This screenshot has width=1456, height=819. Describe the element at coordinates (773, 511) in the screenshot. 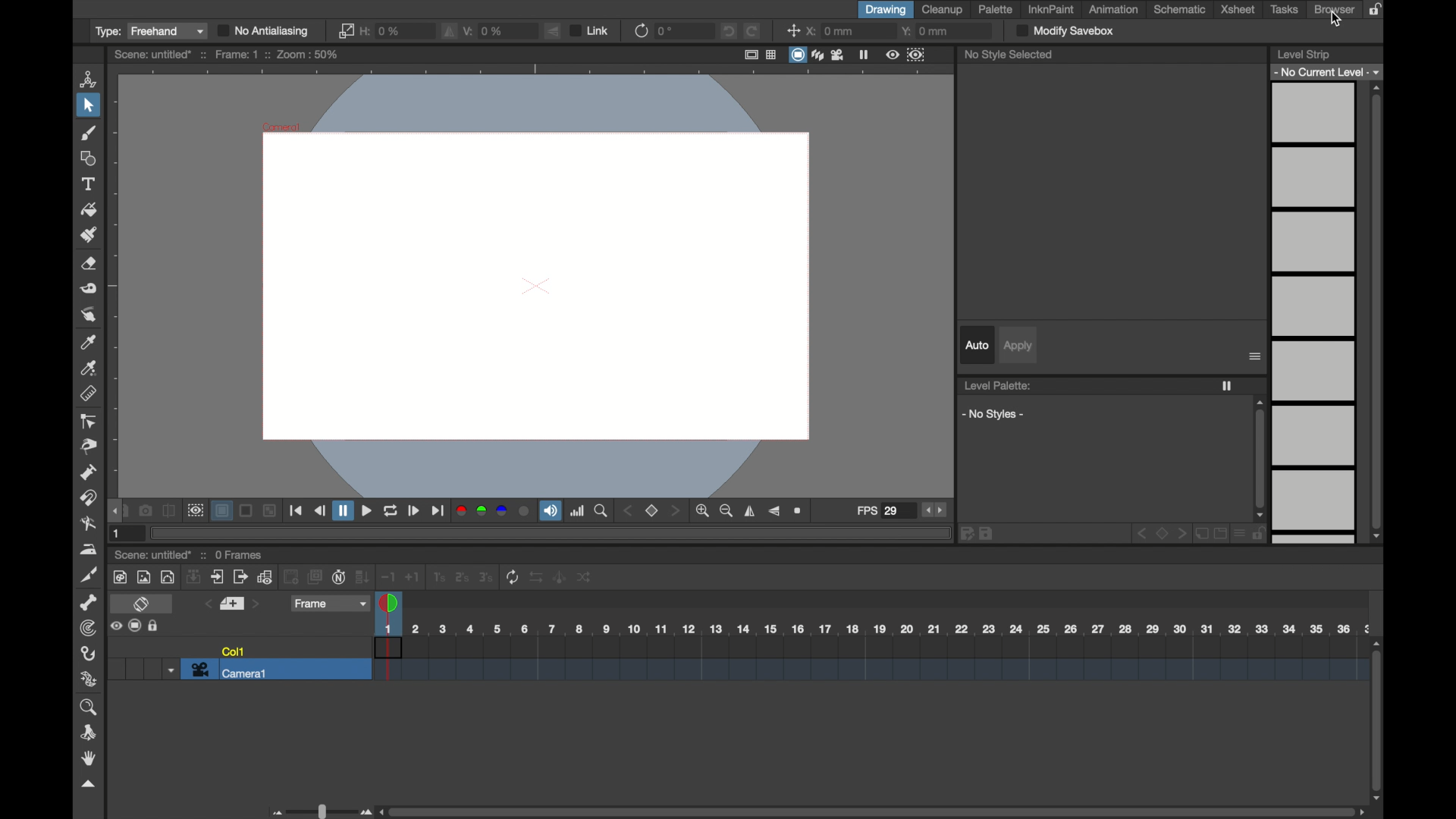

I see `flip vertically` at that location.